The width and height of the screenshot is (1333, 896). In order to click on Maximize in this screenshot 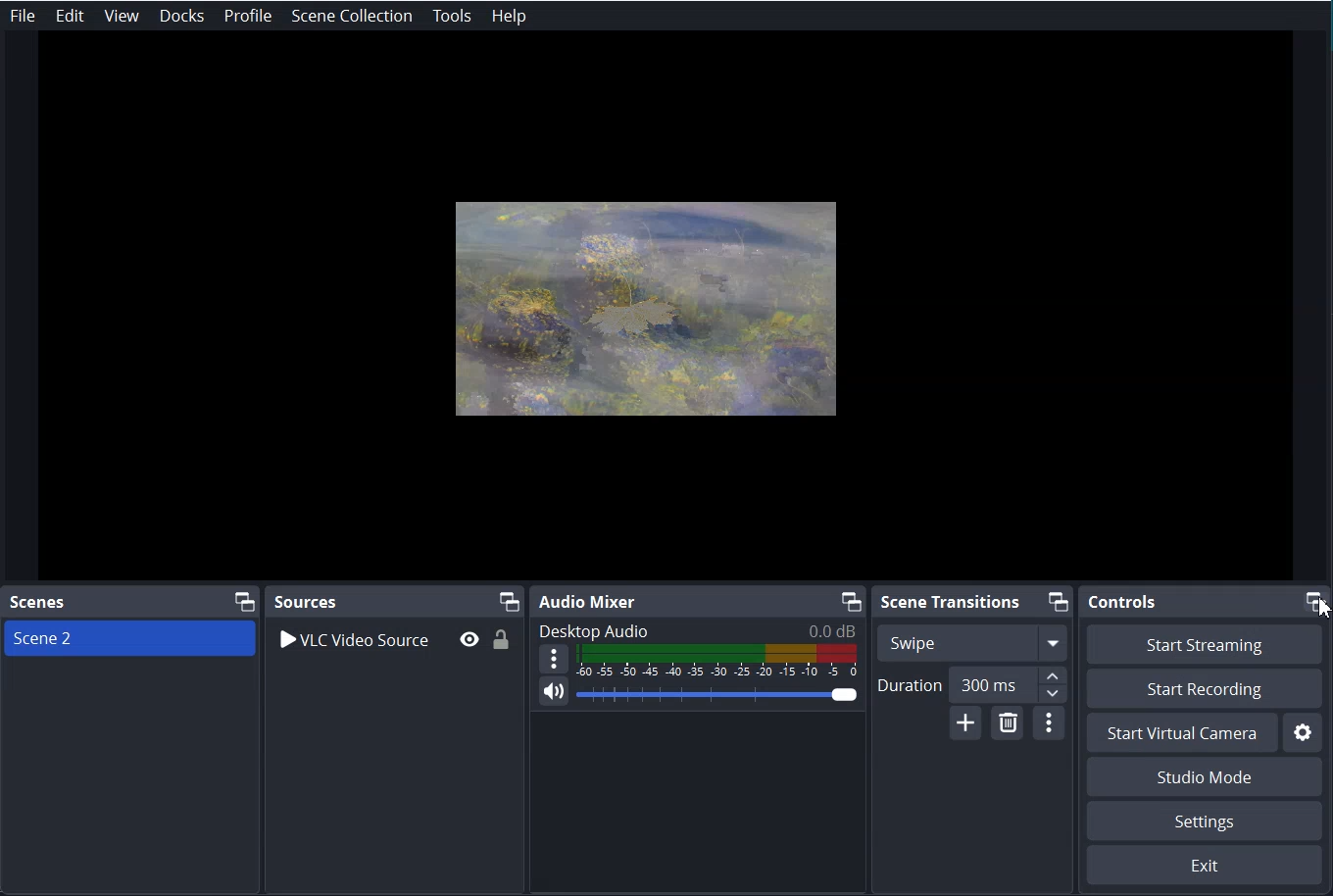, I will do `click(852, 600)`.